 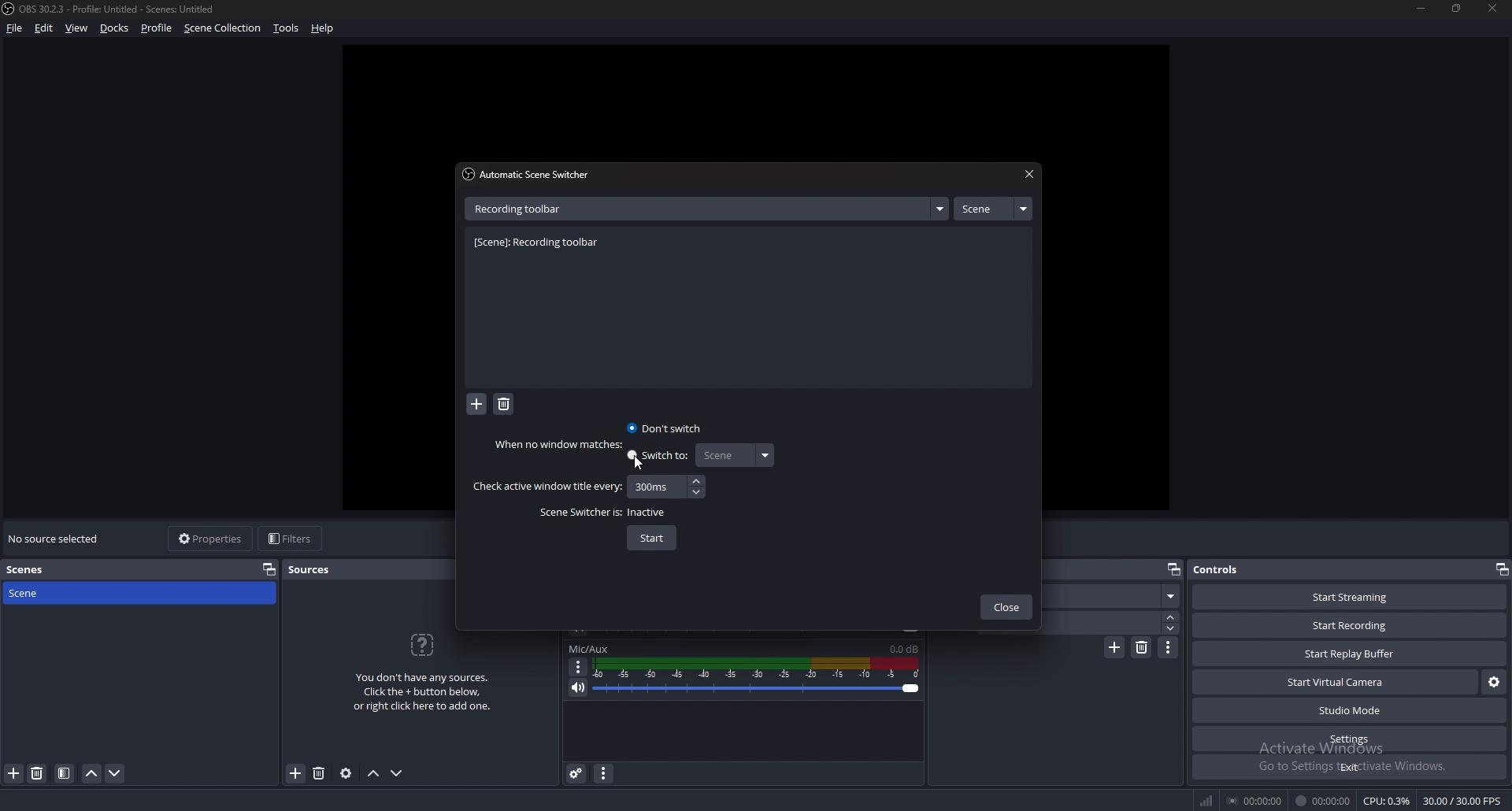 I want to click on studio mode, so click(x=1350, y=711).